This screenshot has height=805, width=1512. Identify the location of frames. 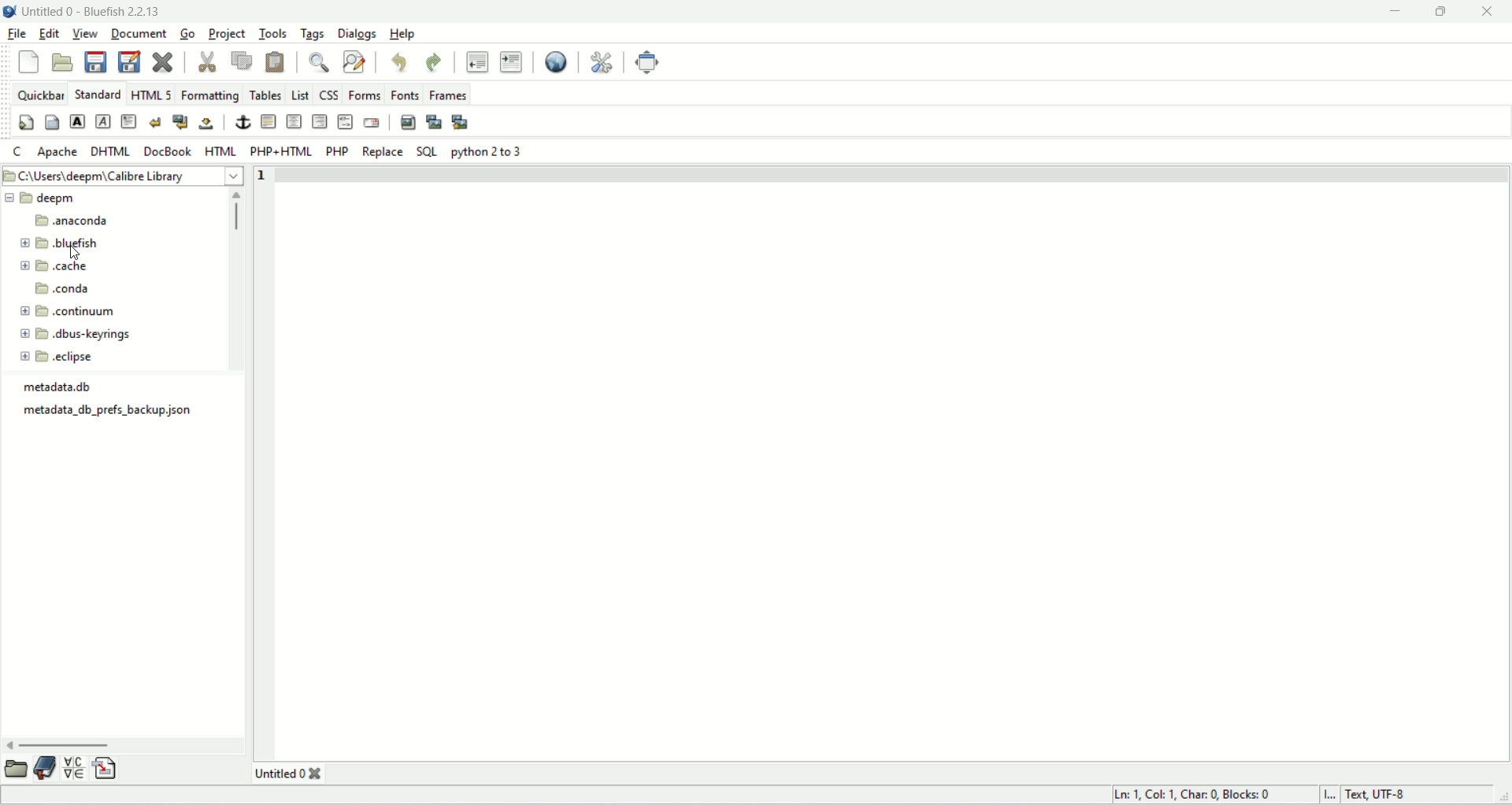
(451, 95).